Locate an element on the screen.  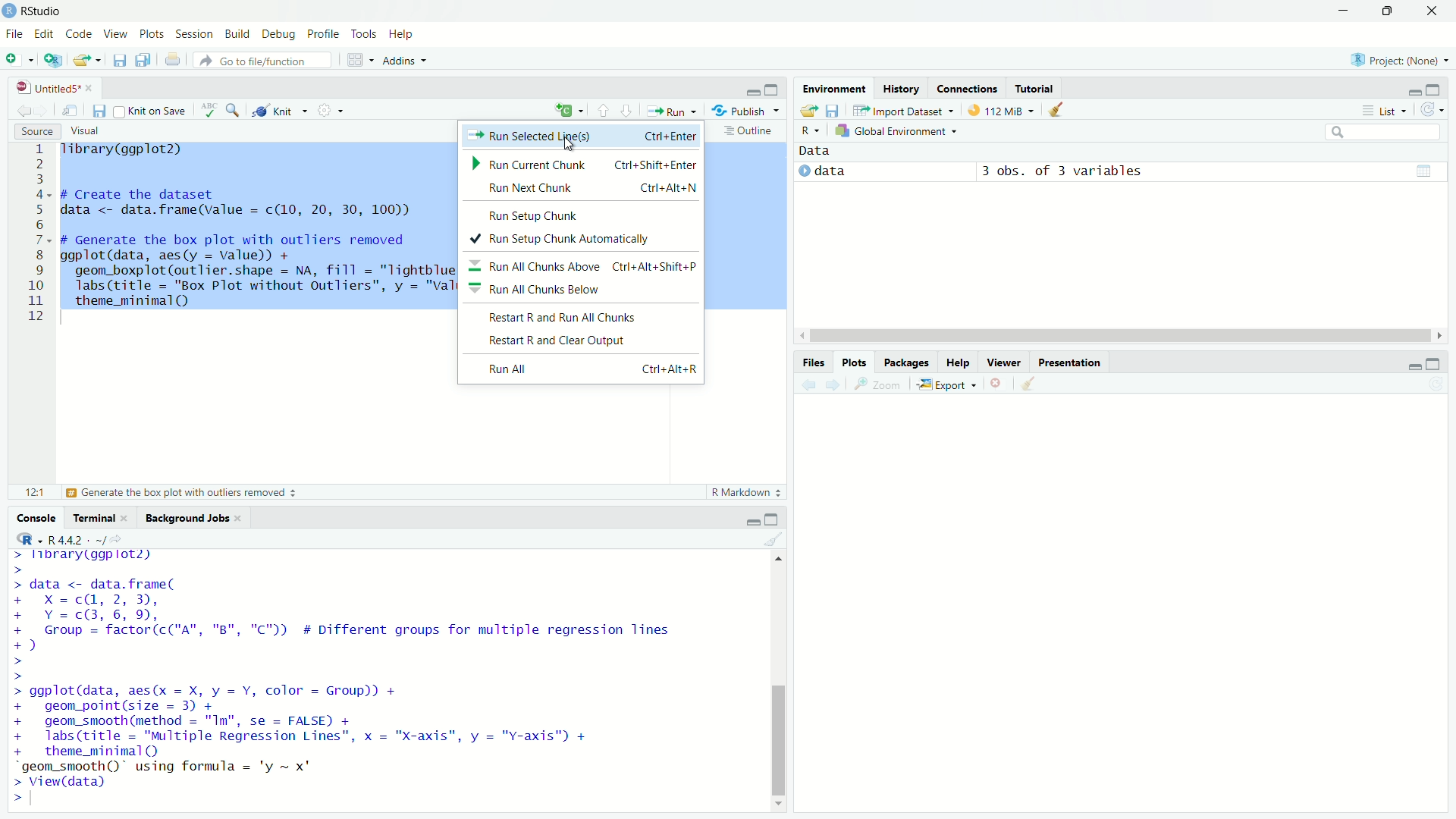
downward is located at coordinates (631, 111).